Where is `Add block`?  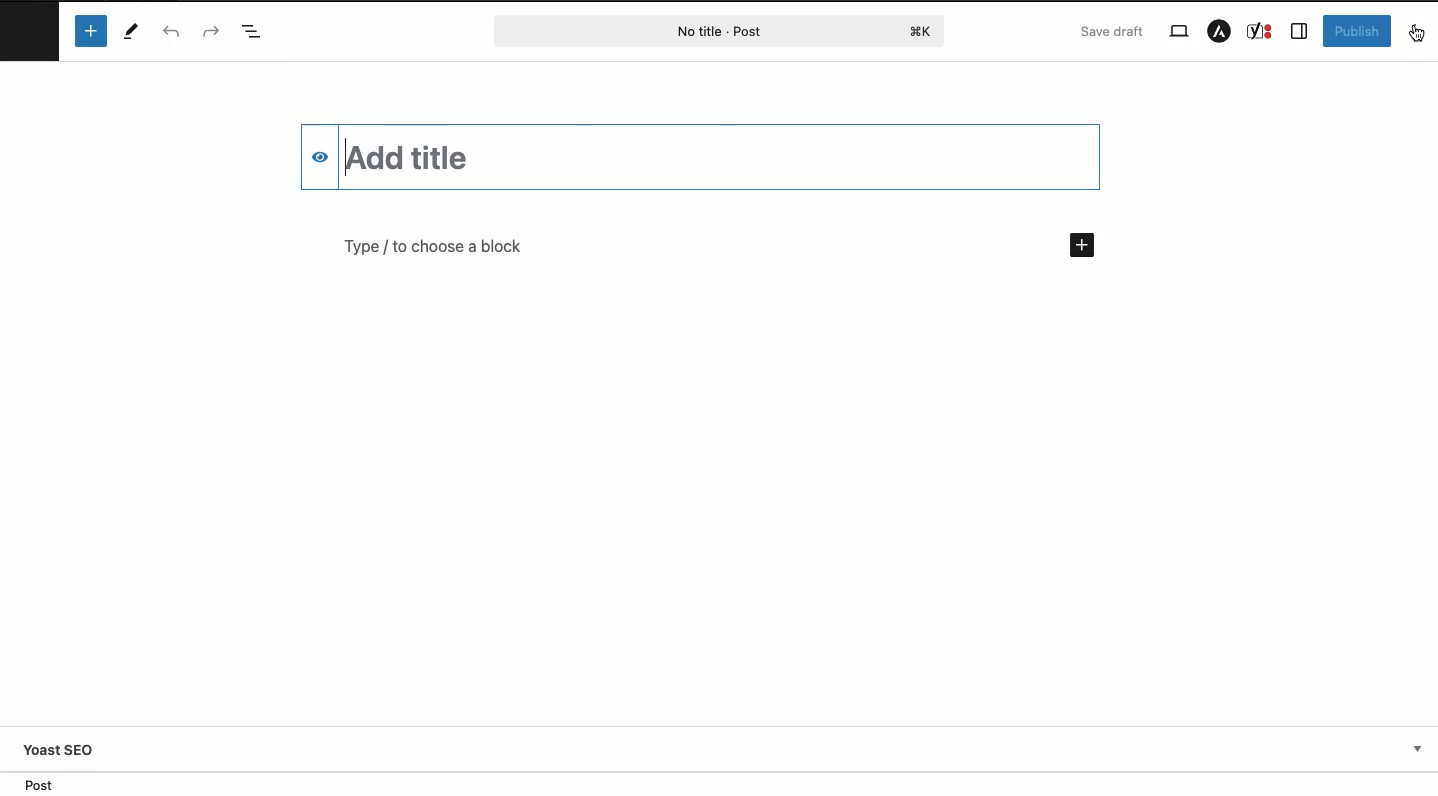
Add block is located at coordinates (93, 30).